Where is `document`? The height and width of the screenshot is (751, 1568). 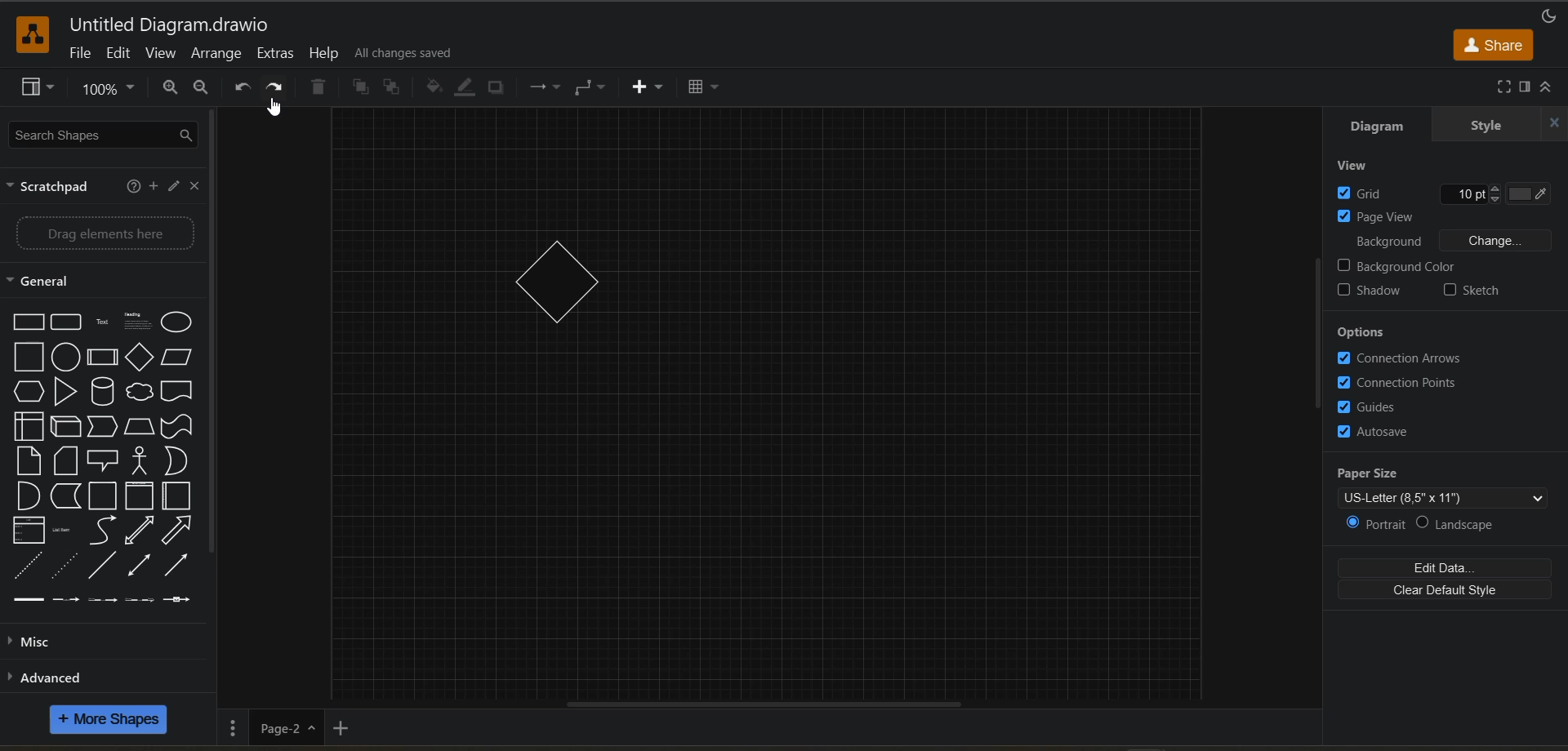
document is located at coordinates (177, 391).